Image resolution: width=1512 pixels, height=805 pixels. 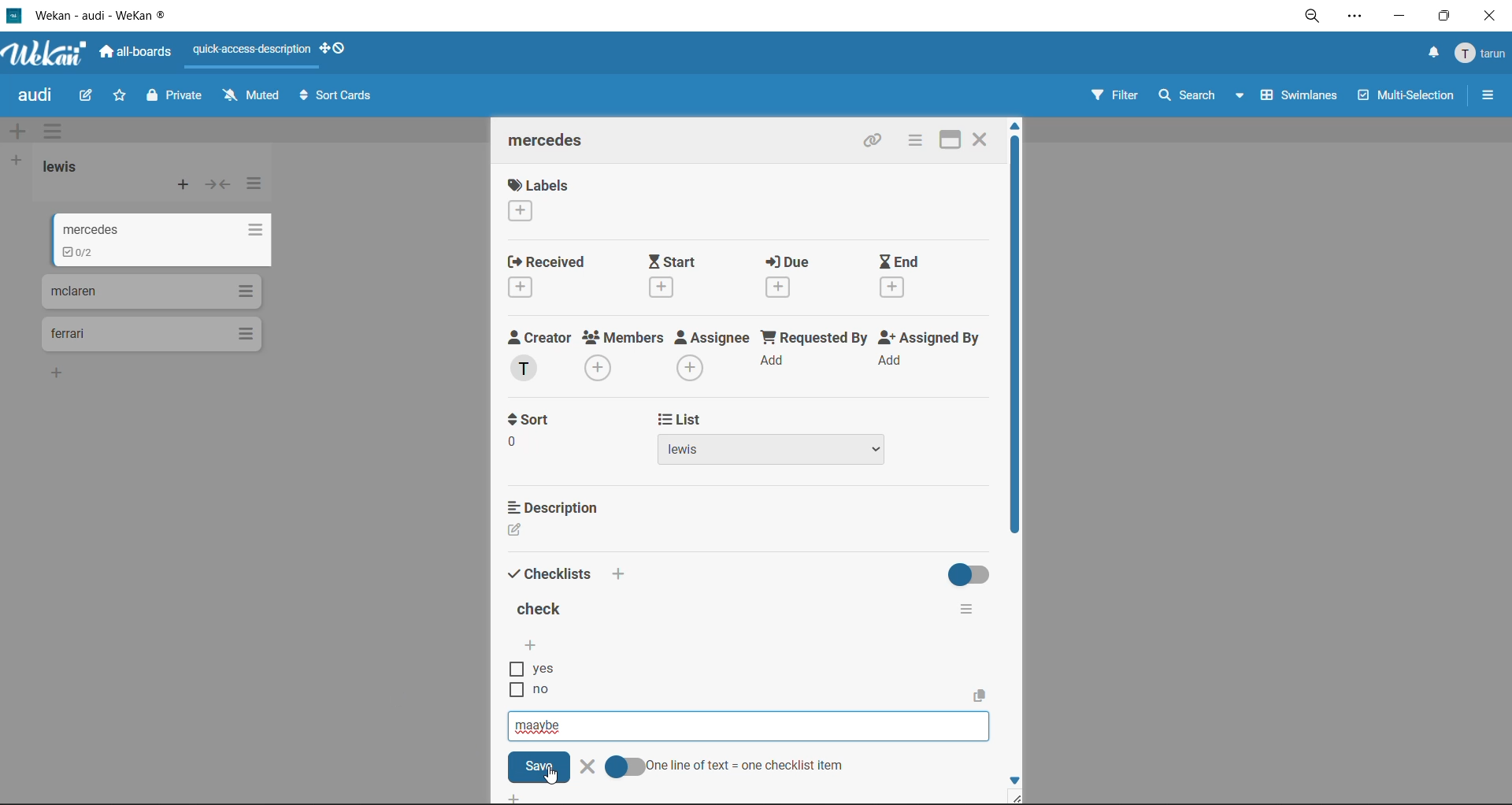 I want to click on add card, so click(x=180, y=187).